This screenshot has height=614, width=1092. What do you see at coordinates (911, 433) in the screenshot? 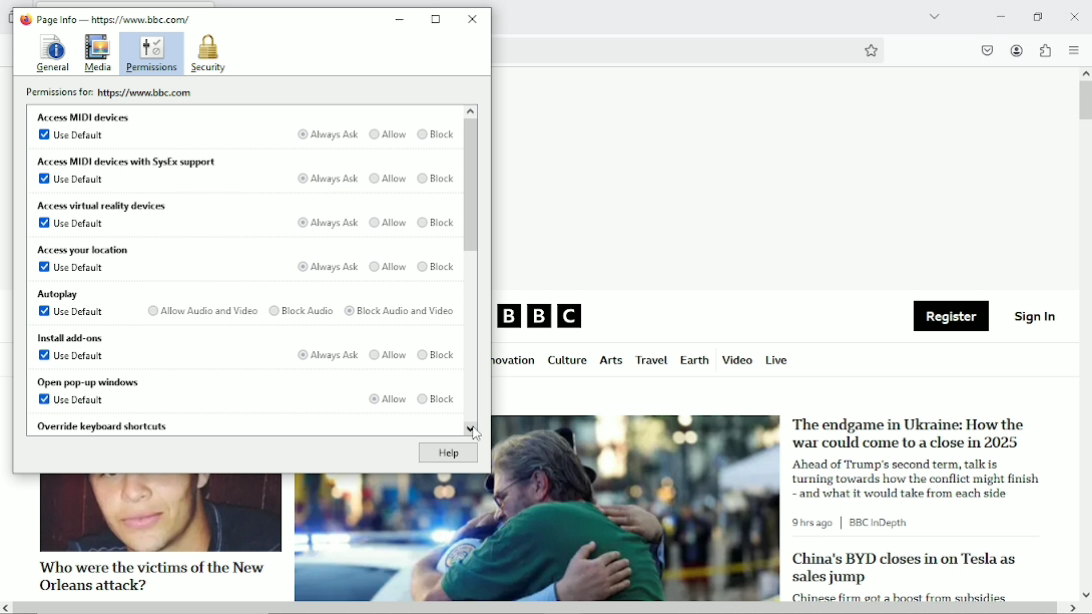
I see `The endgame in Ukraine: How the war could come to a close in 2025` at bounding box center [911, 433].